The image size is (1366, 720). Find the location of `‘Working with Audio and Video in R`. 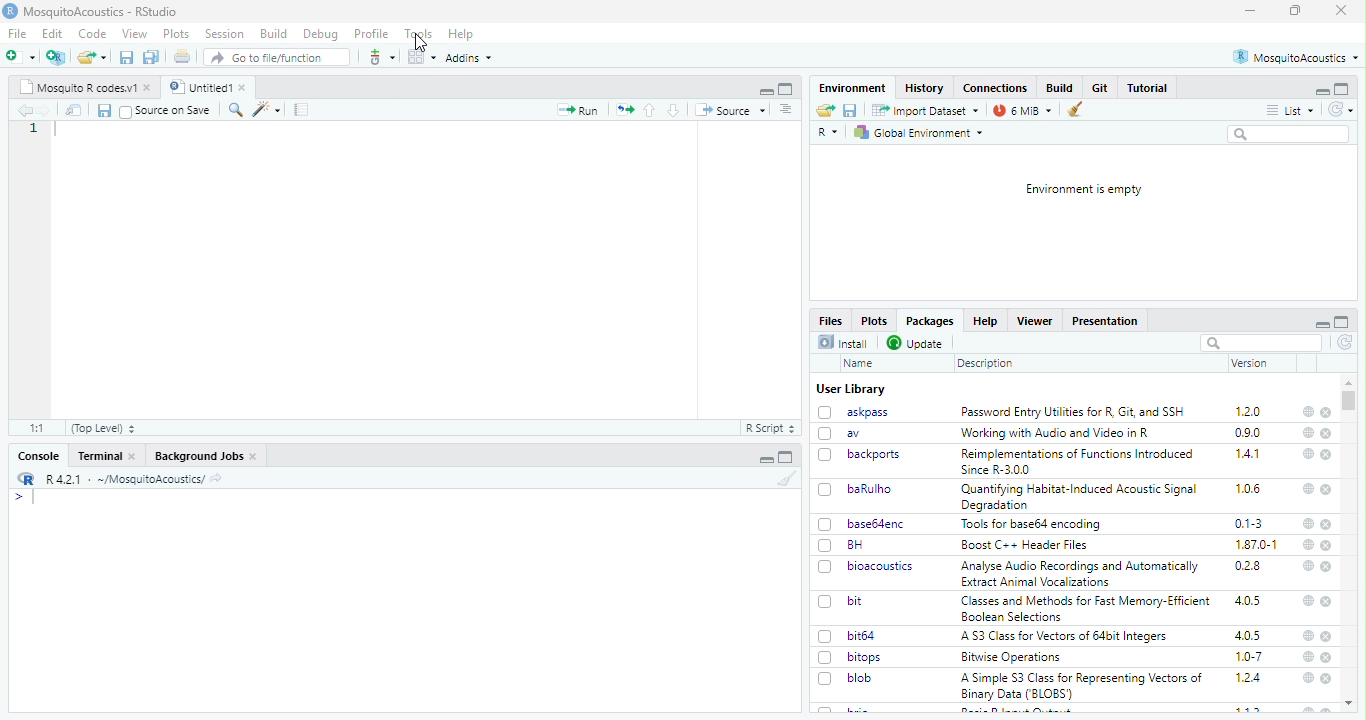

‘Working with Audio and Video in R is located at coordinates (1059, 433).